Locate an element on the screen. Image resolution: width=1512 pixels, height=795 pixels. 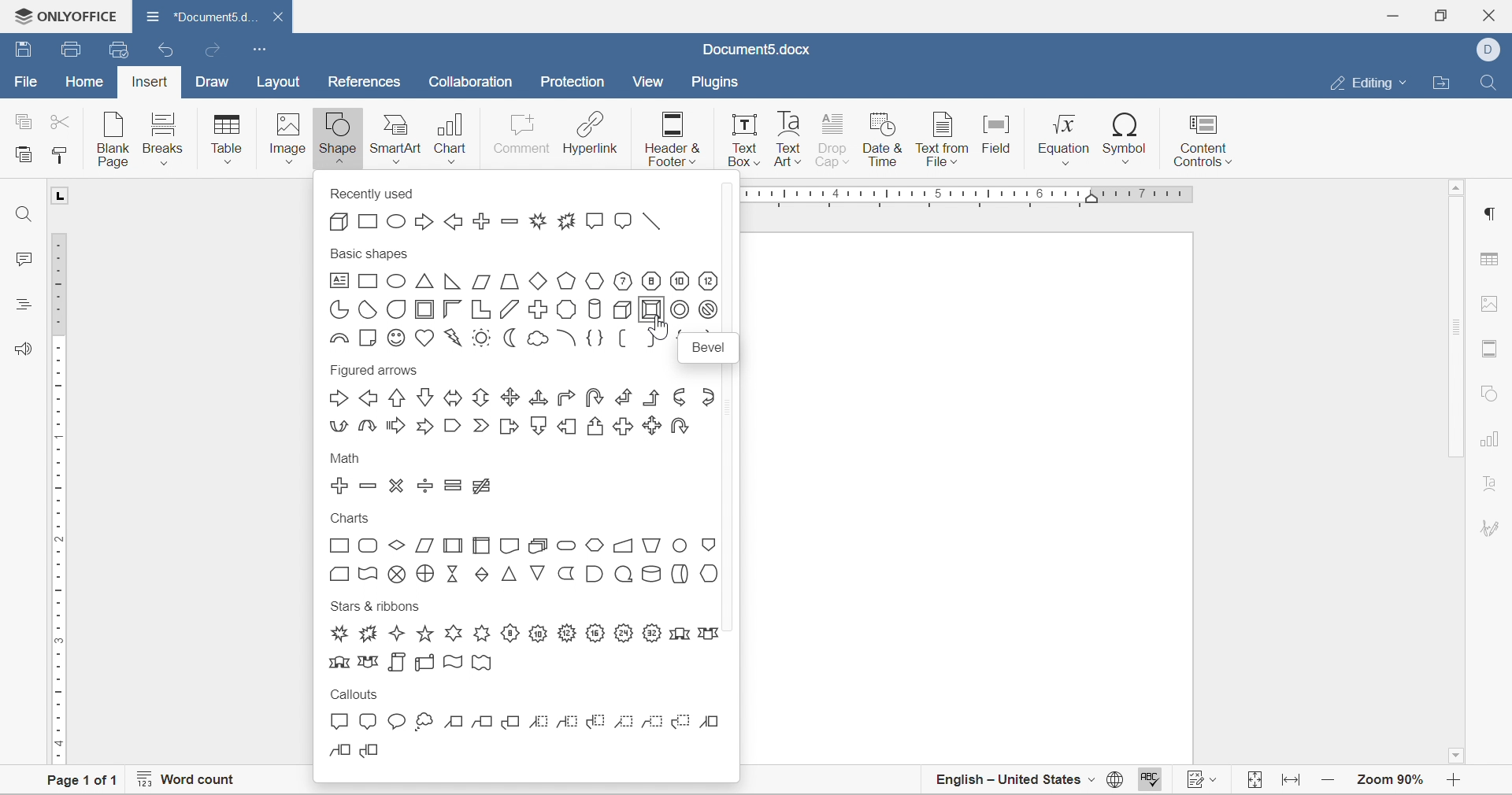
document5.docx is located at coordinates (753, 48).